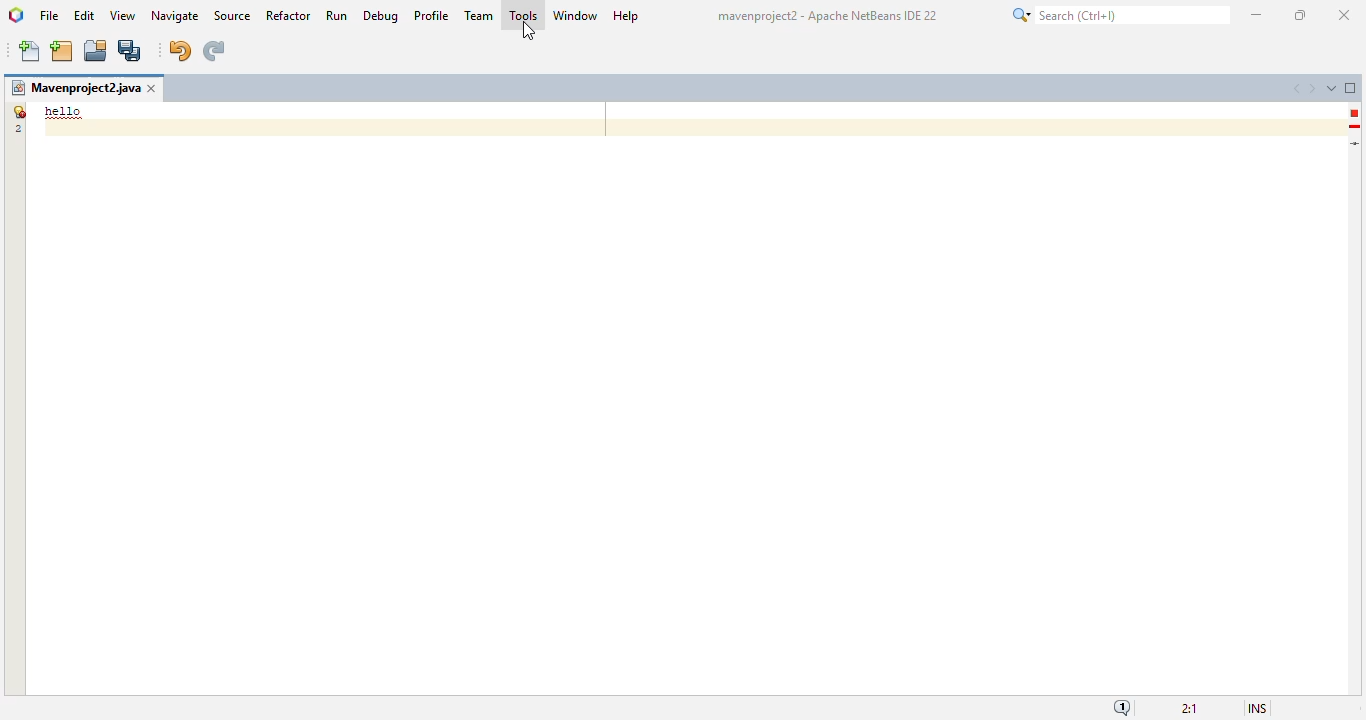  What do you see at coordinates (1190, 709) in the screenshot?
I see `magnification ratio` at bounding box center [1190, 709].